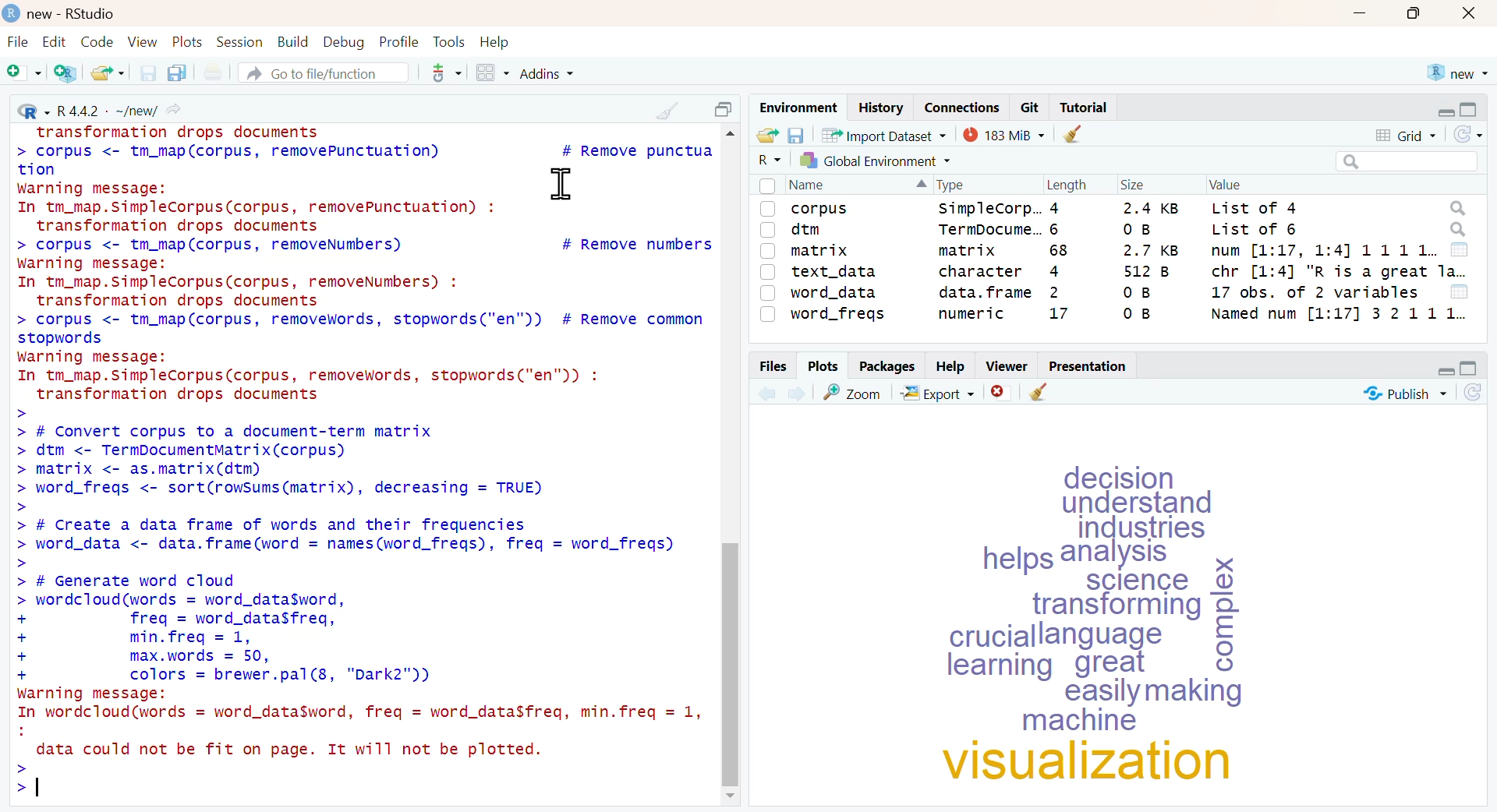 The image size is (1497, 812). What do you see at coordinates (796, 136) in the screenshot?
I see `Save` at bounding box center [796, 136].